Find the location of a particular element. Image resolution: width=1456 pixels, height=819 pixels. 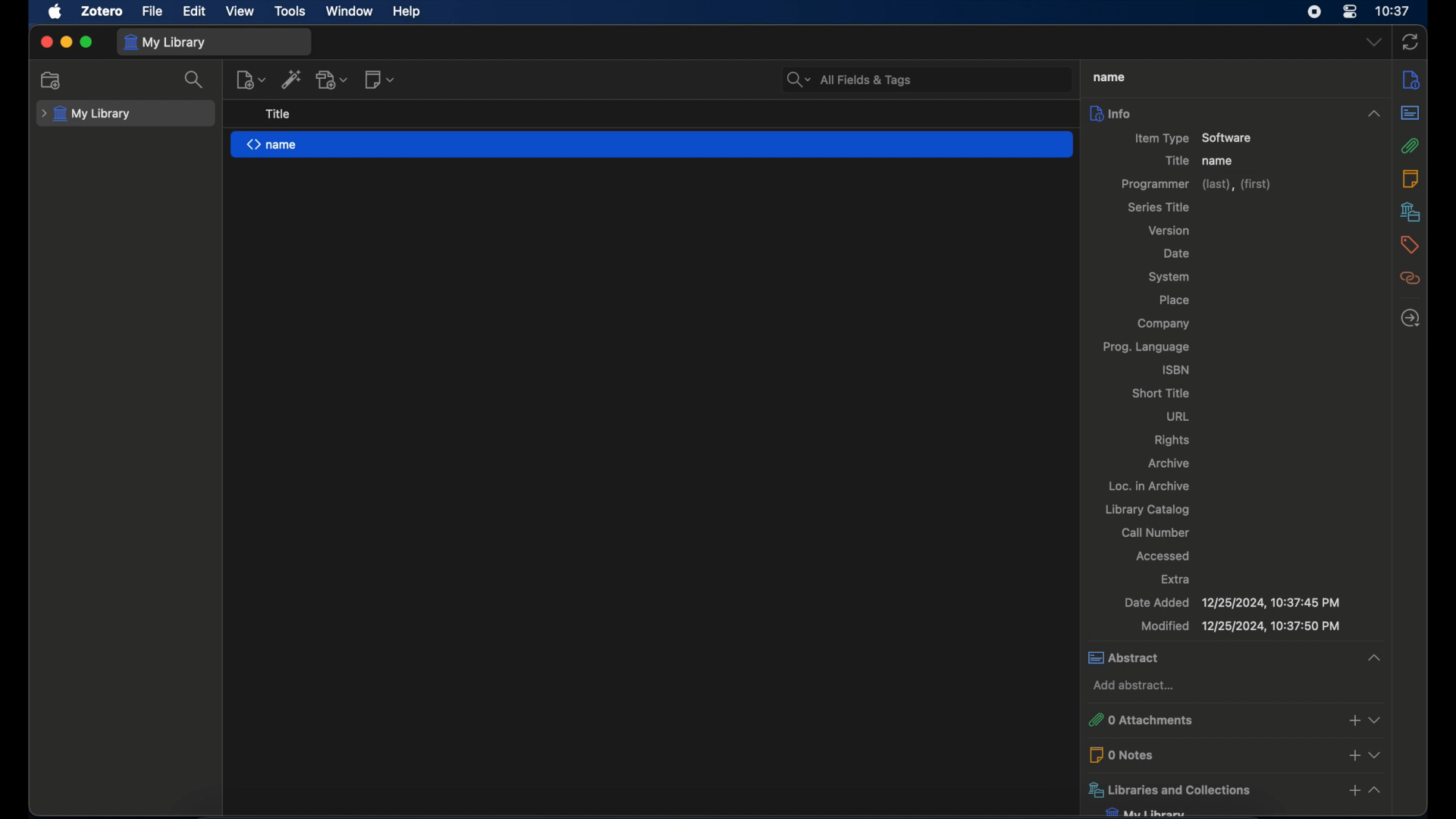

info is located at coordinates (1411, 79).